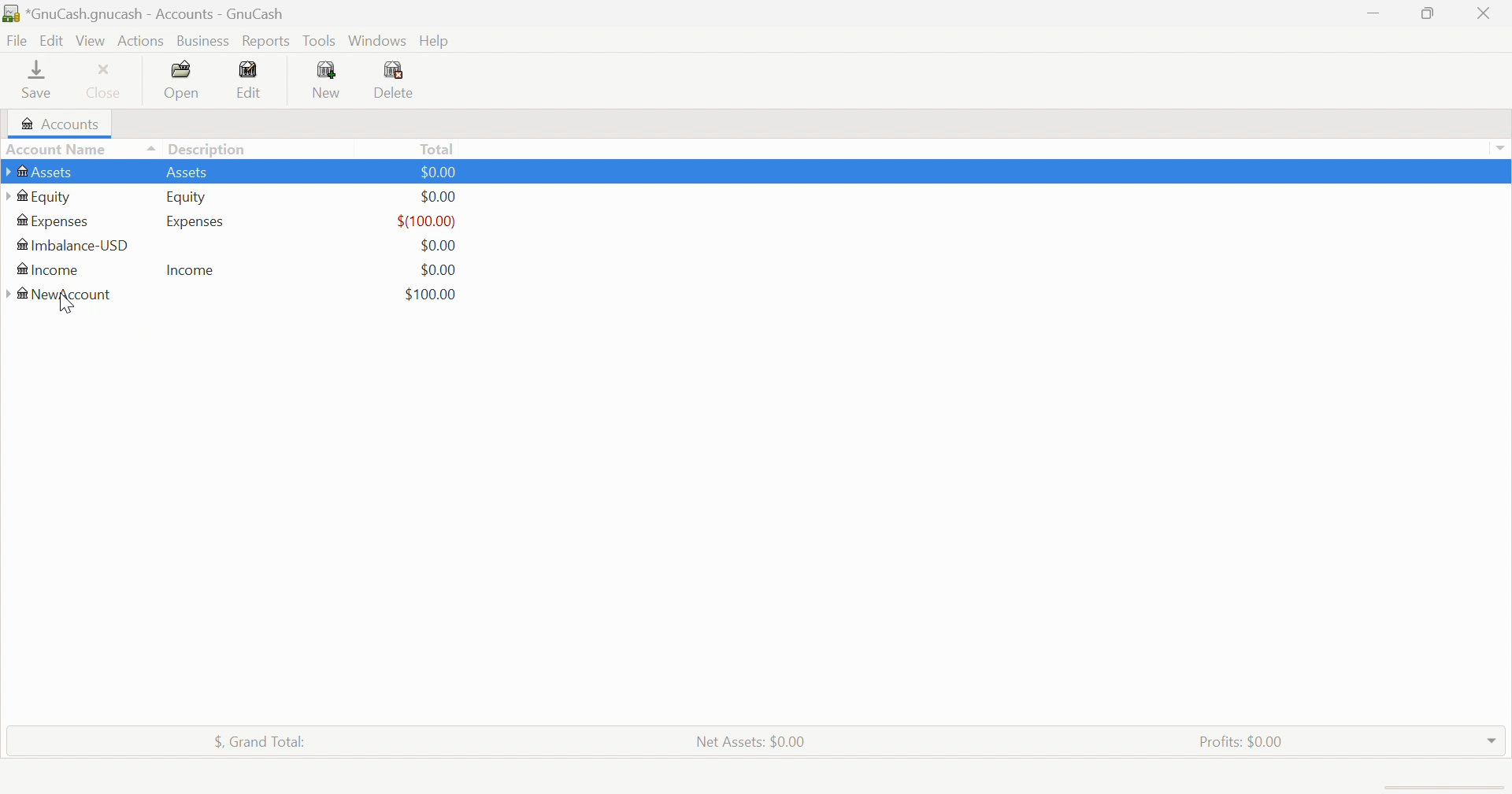  I want to click on Assets, so click(41, 173).